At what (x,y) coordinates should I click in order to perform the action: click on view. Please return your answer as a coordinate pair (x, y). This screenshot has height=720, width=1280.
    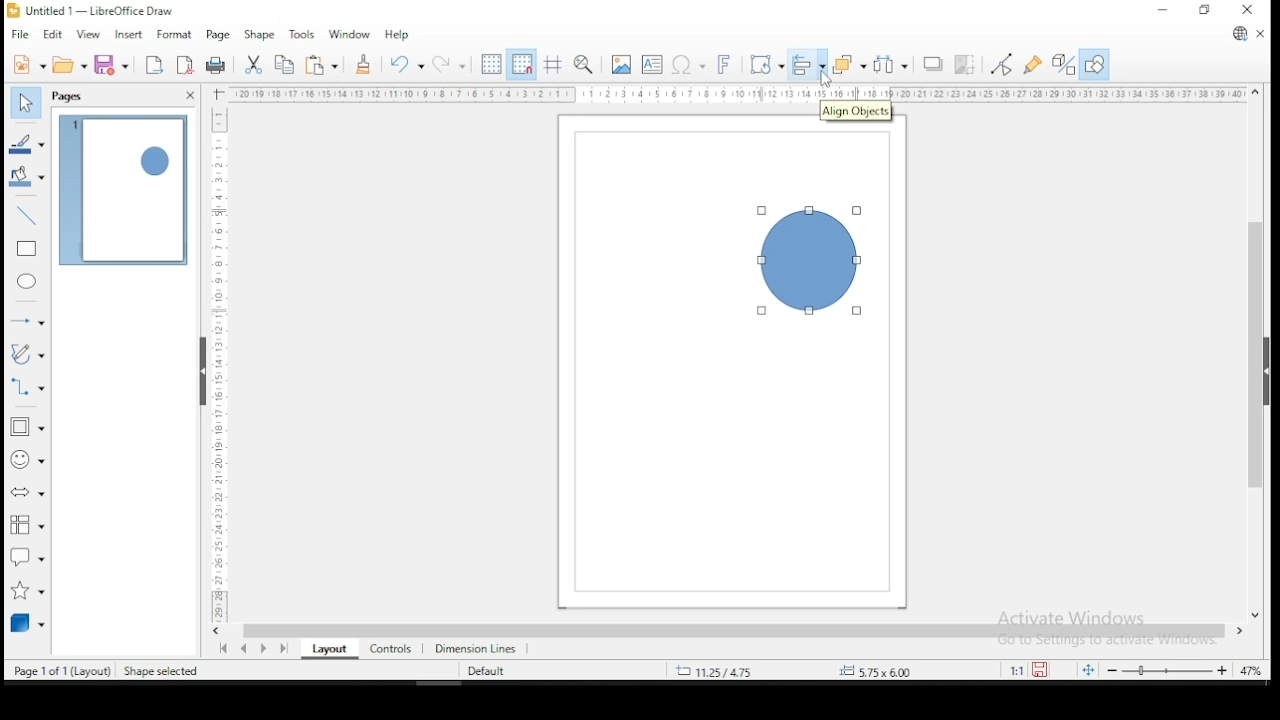
    Looking at the image, I should click on (88, 35).